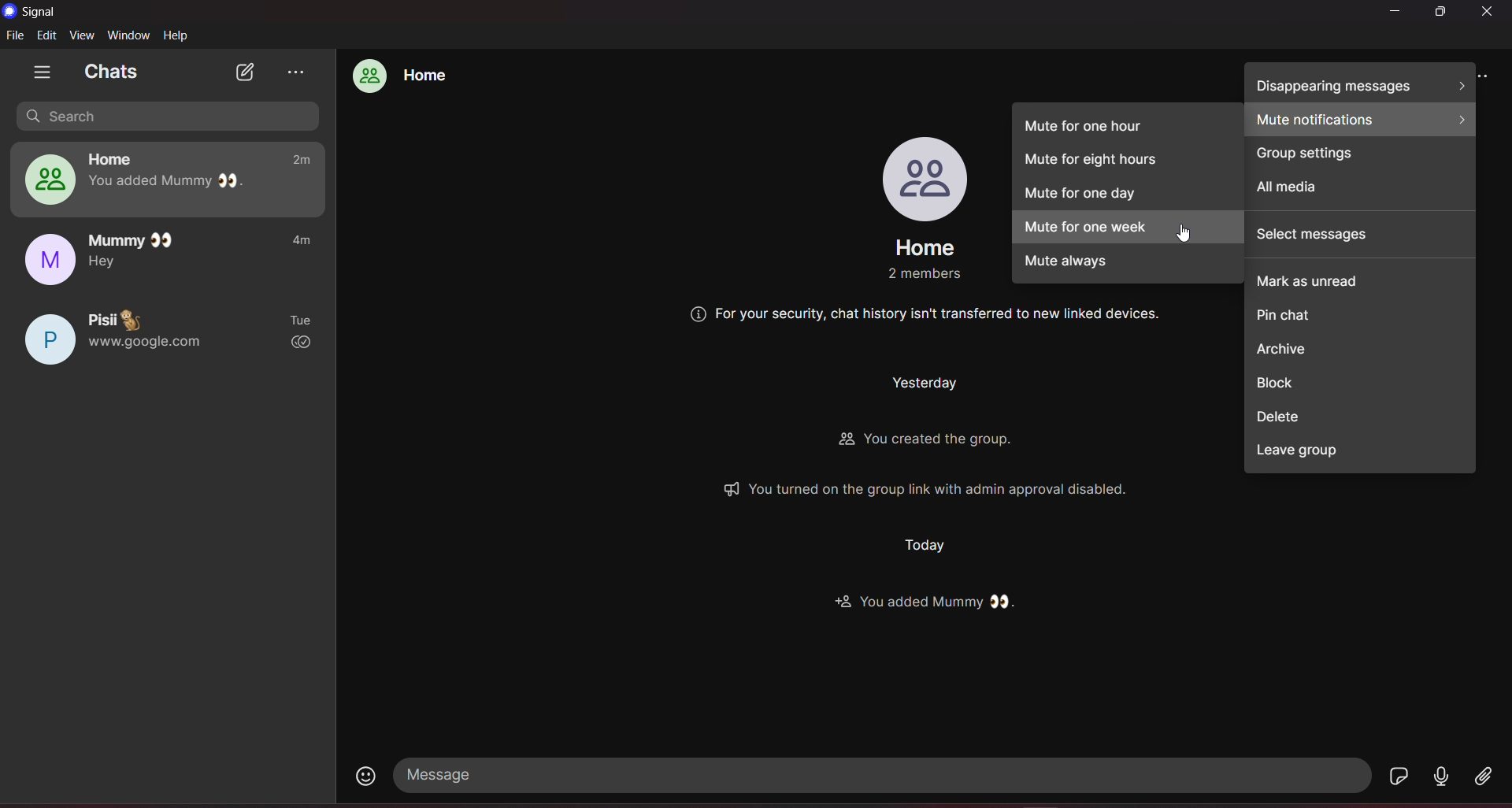 The height and width of the screenshot is (808, 1512). Describe the element at coordinates (169, 335) in the screenshot. I see `pisii chat` at that location.